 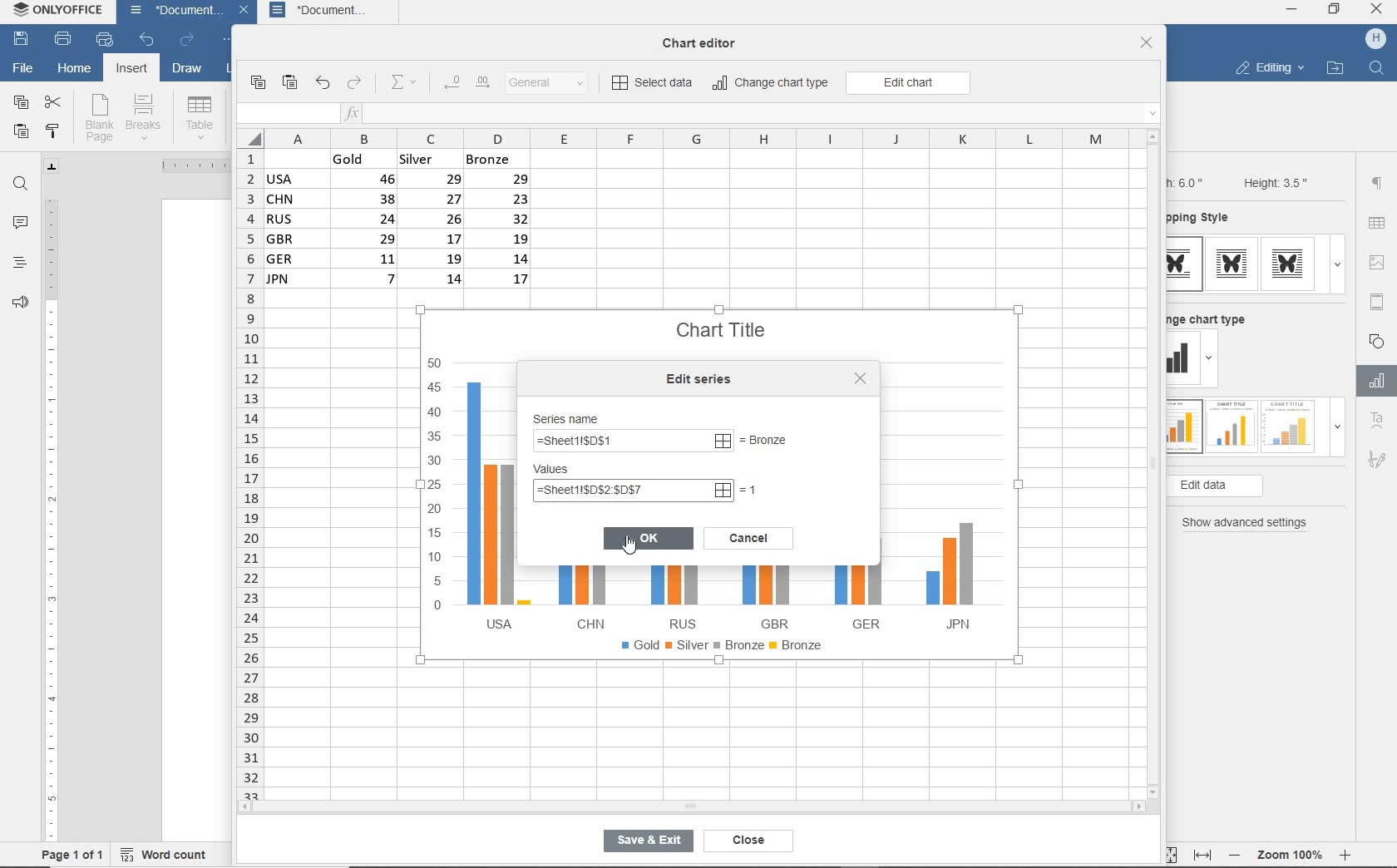 What do you see at coordinates (632, 442) in the screenshot?
I see `formula` at bounding box center [632, 442].